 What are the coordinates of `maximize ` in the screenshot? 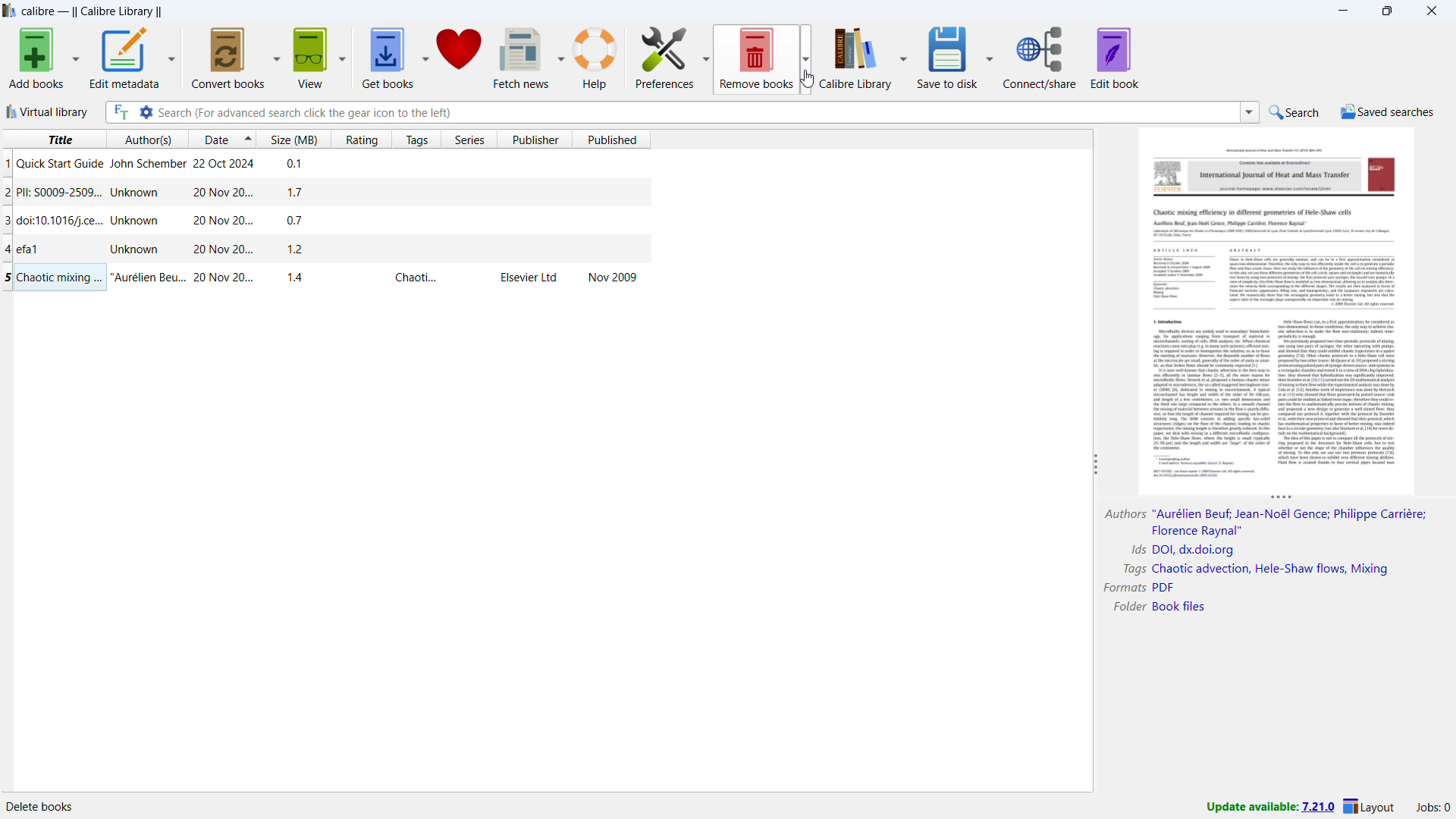 It's located at (1387, 11).